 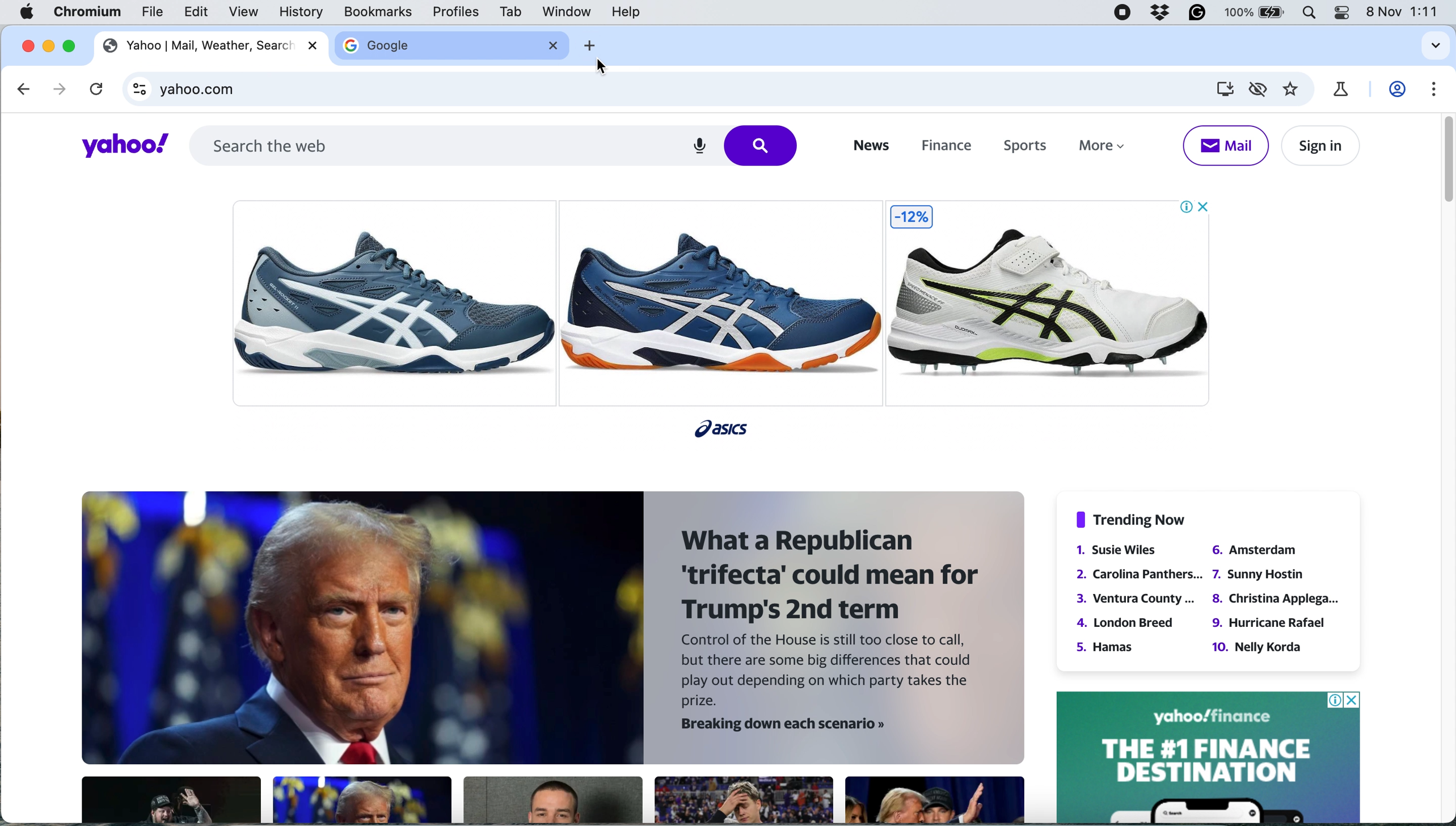 I want to click on search the web, so click(x=495, y=144).